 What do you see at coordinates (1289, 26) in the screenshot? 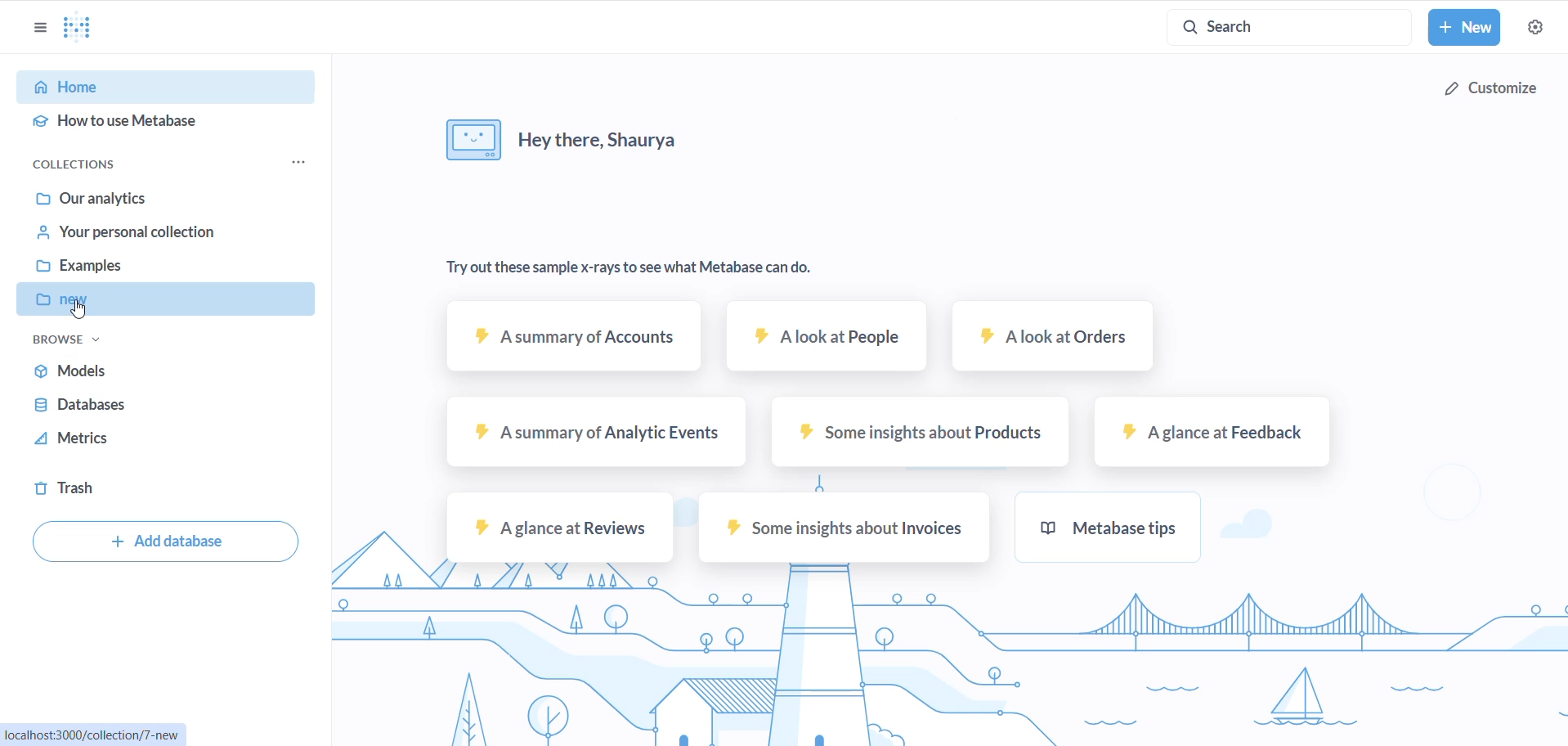
I see `SEARCH  BUTTON` at bounding box center [1289, 26].